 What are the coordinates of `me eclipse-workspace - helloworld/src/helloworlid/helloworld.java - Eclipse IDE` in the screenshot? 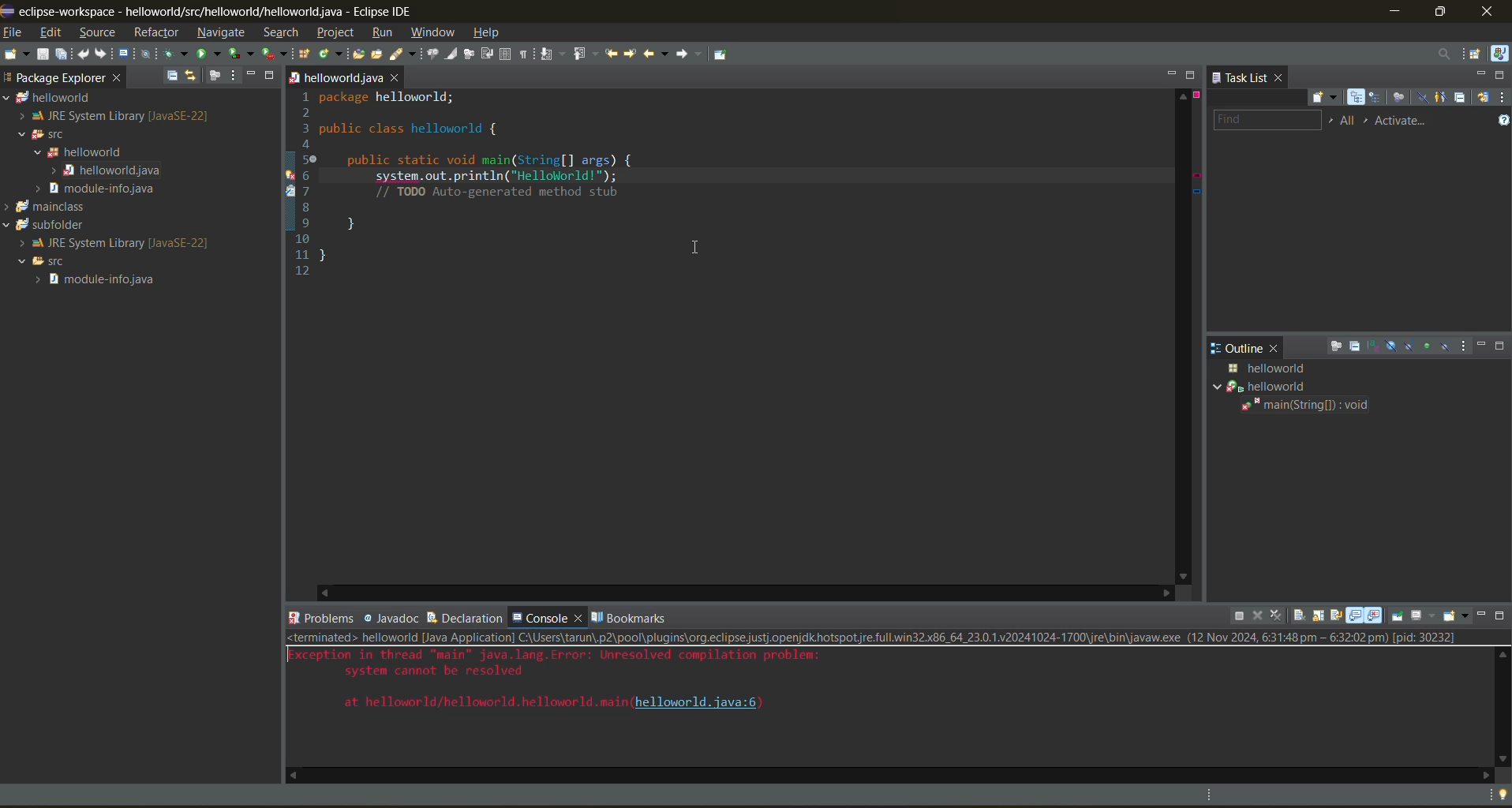 It's located at (215, 10).